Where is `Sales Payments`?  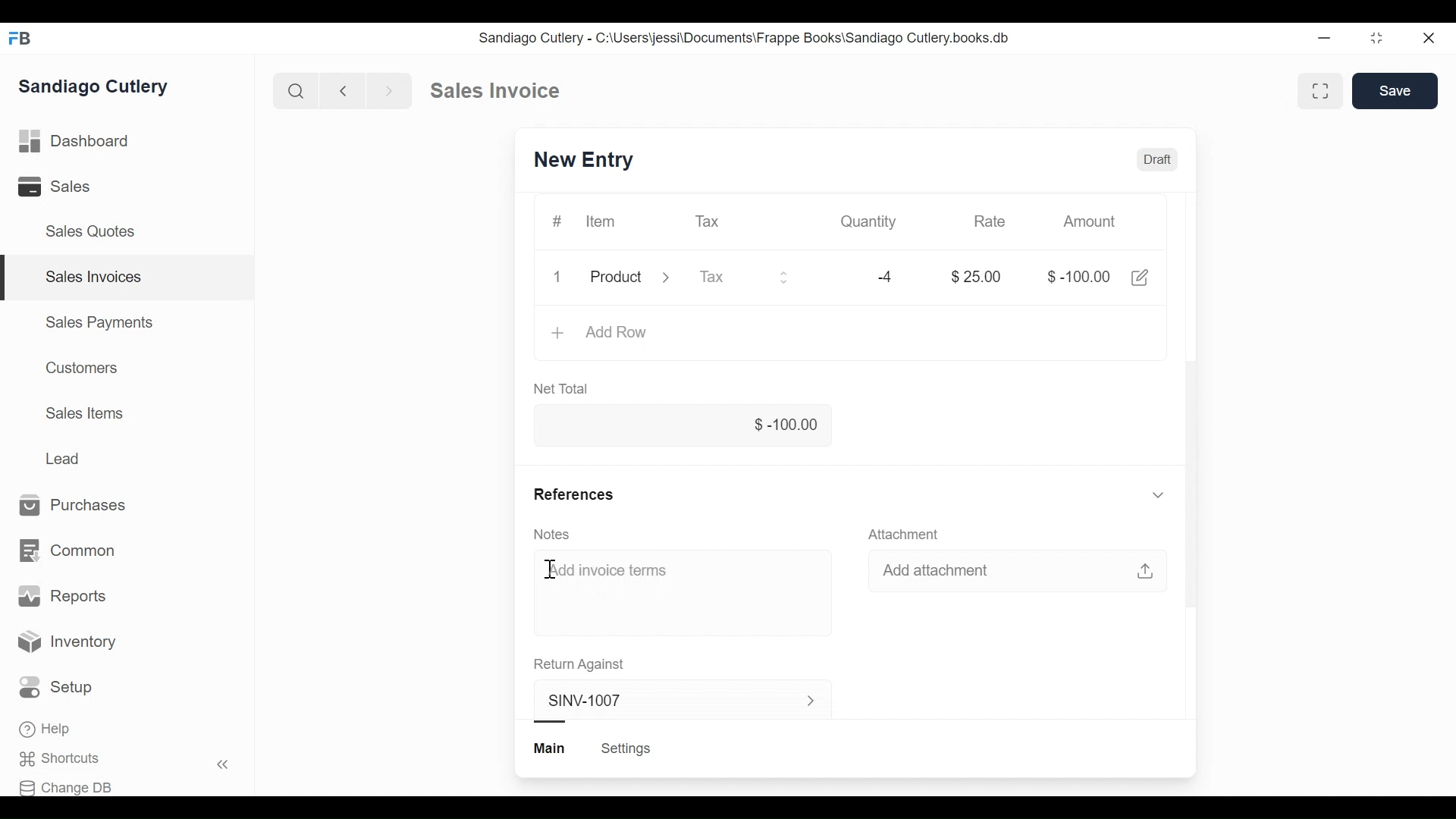
Sales Payments is located at coordinates (99, 322).